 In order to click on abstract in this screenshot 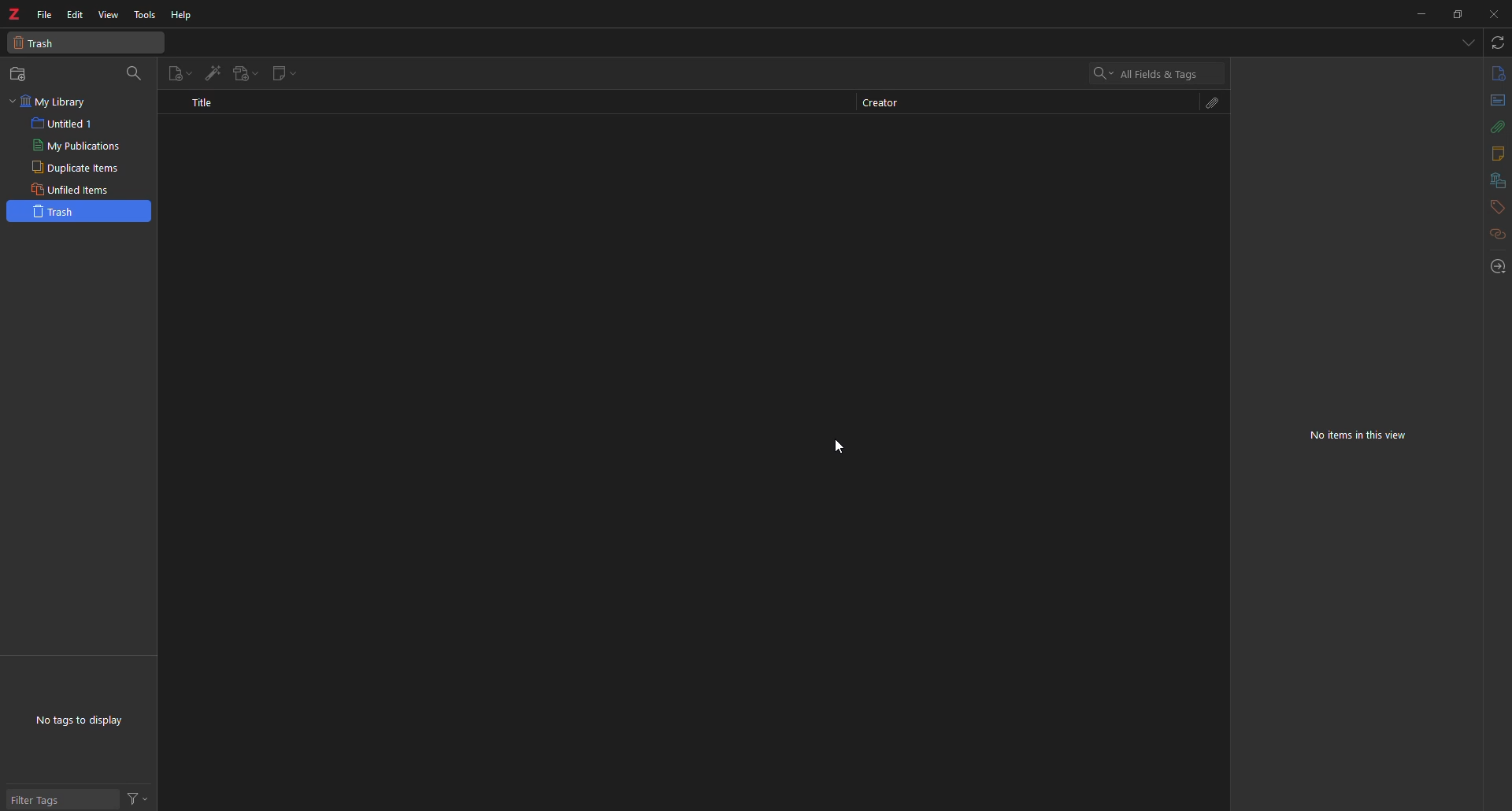, I will do `click(1497, 102)`.